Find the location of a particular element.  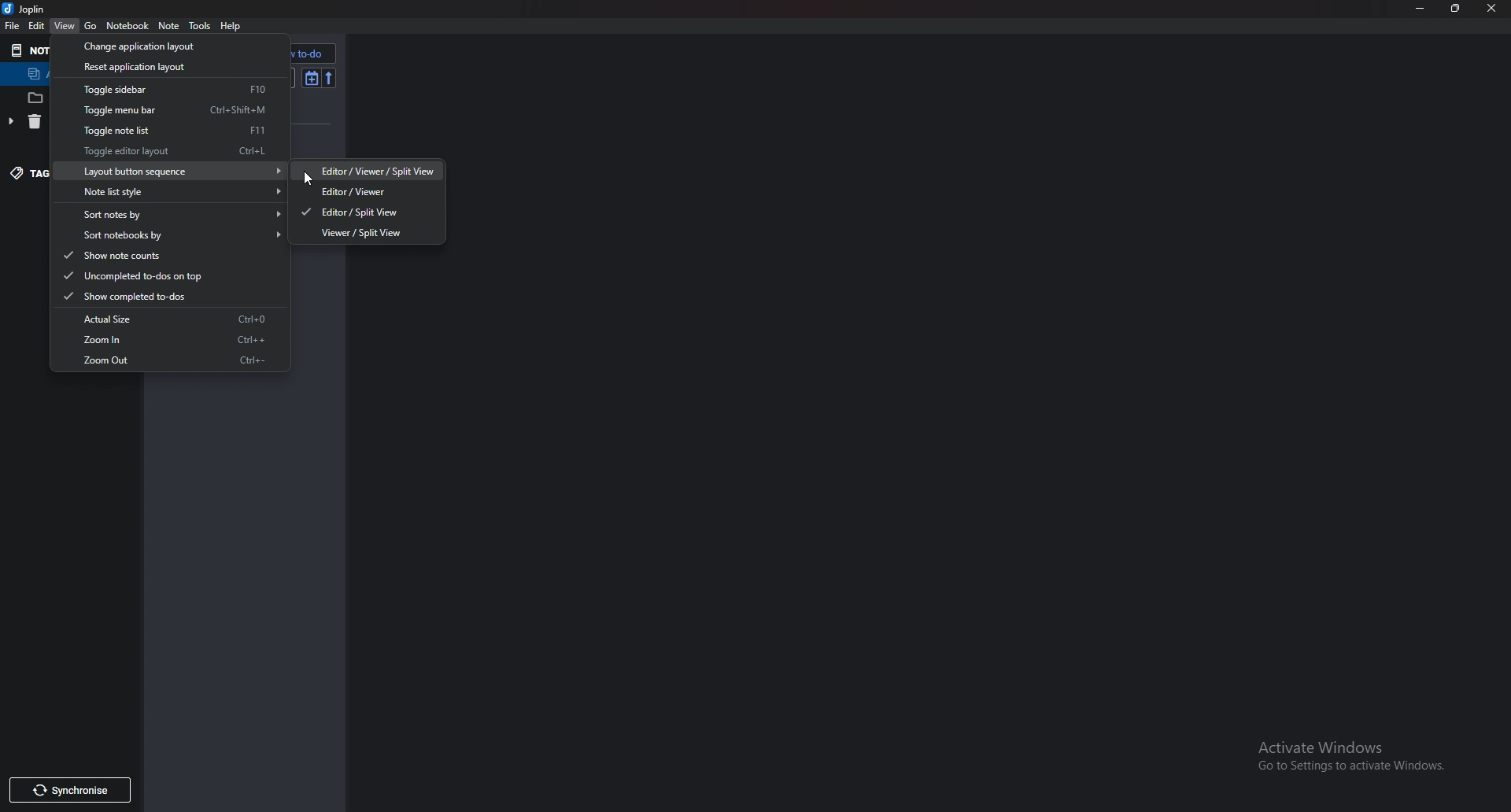

Toggle sort order is located at coordinates (312, 79).